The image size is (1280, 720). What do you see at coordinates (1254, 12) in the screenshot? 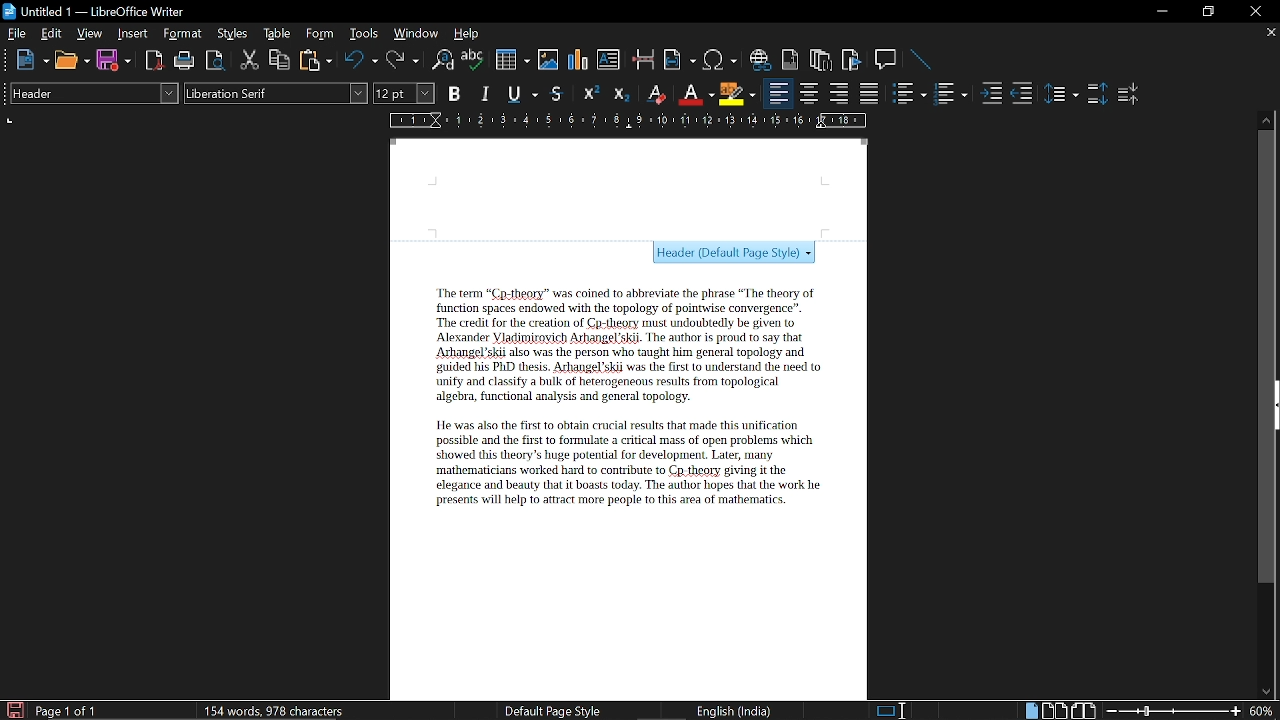
I see `Close` at bounding box center [1254, 12].